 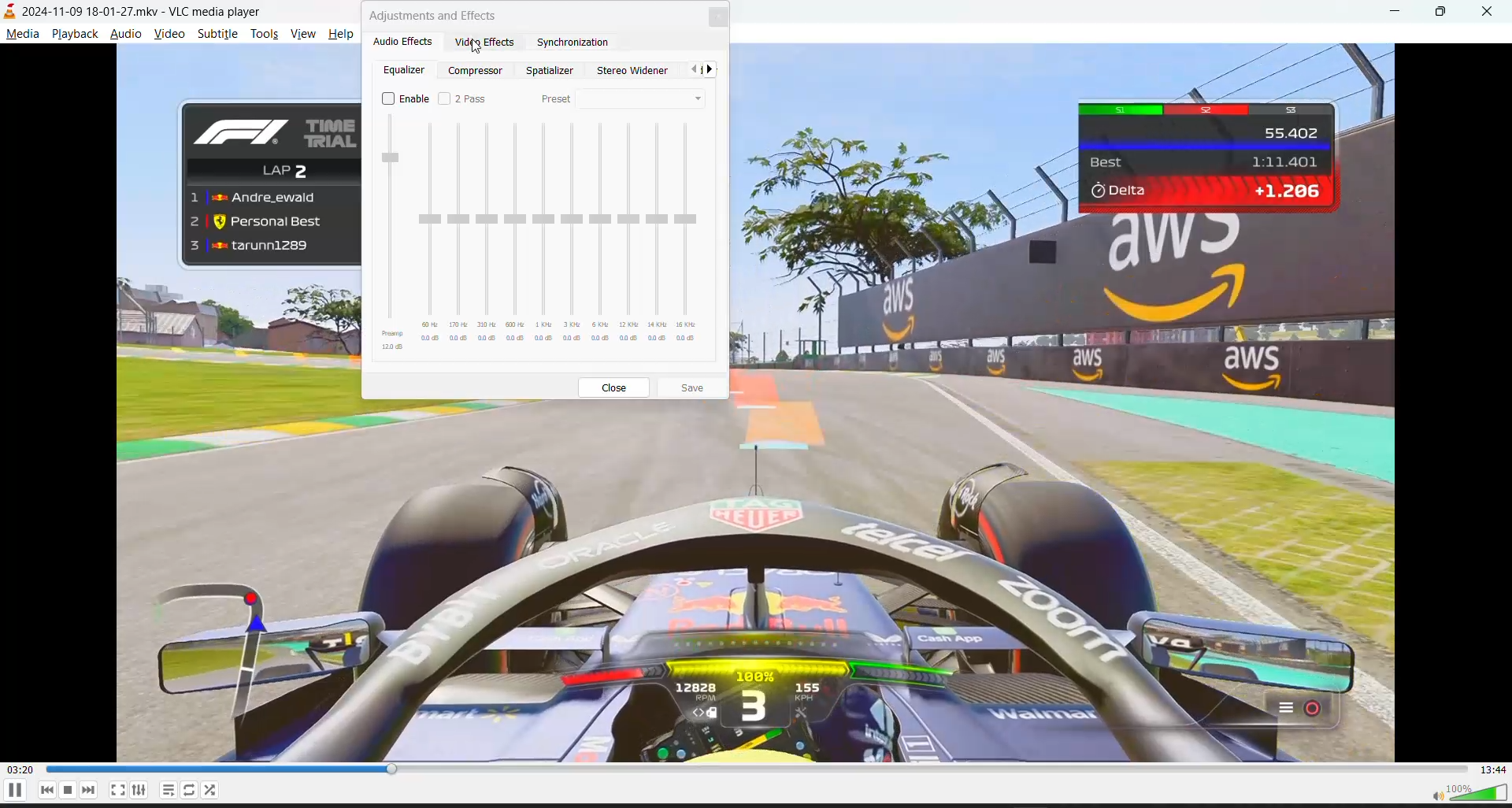 What do you see at coordinates (406, 43) in the screenshot?
I see `audio effects` at bounding box center [406, 43].